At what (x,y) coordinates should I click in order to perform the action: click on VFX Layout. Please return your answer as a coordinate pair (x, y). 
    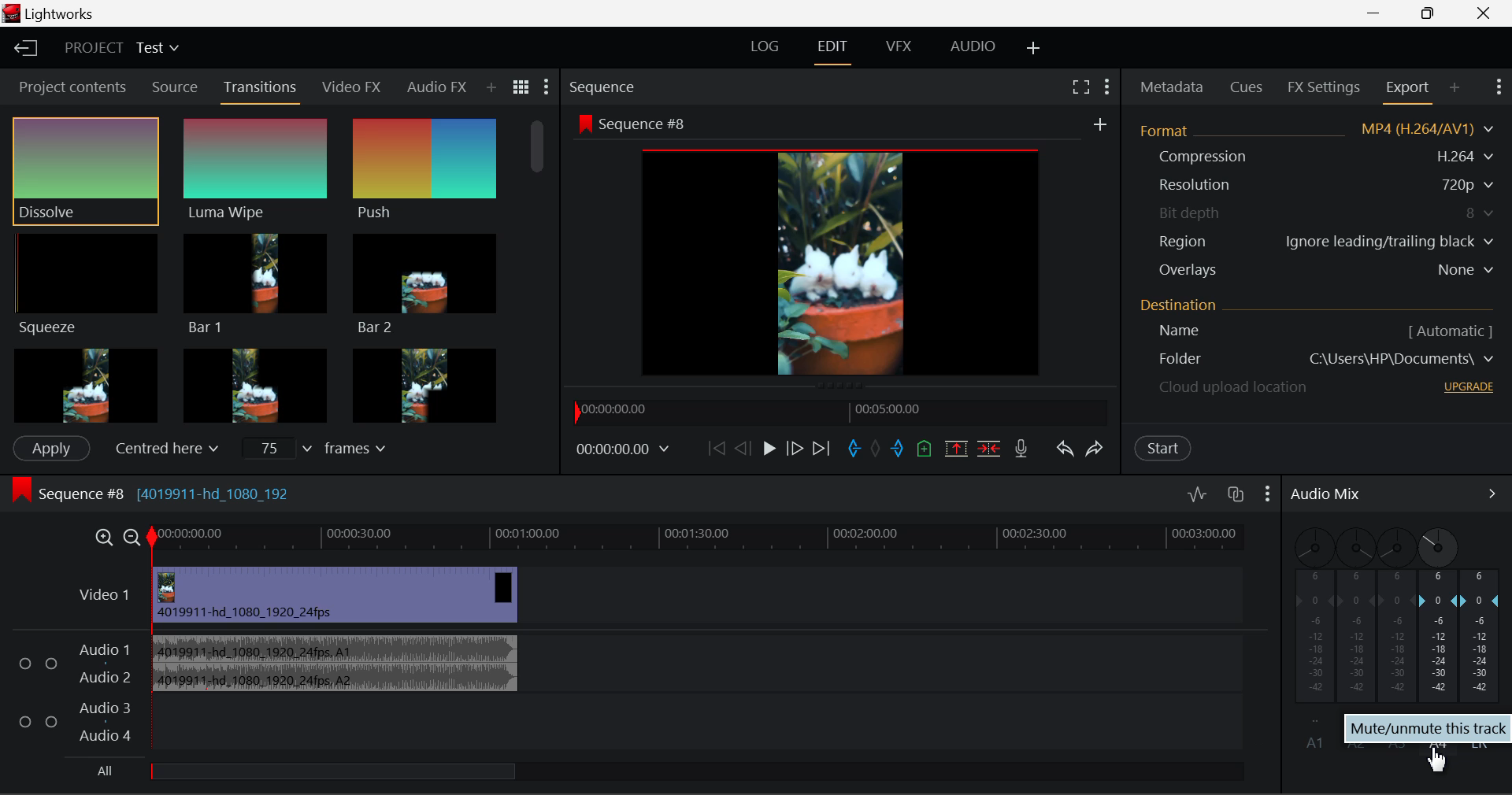
    Looking at the image, I should click on (901, 45).